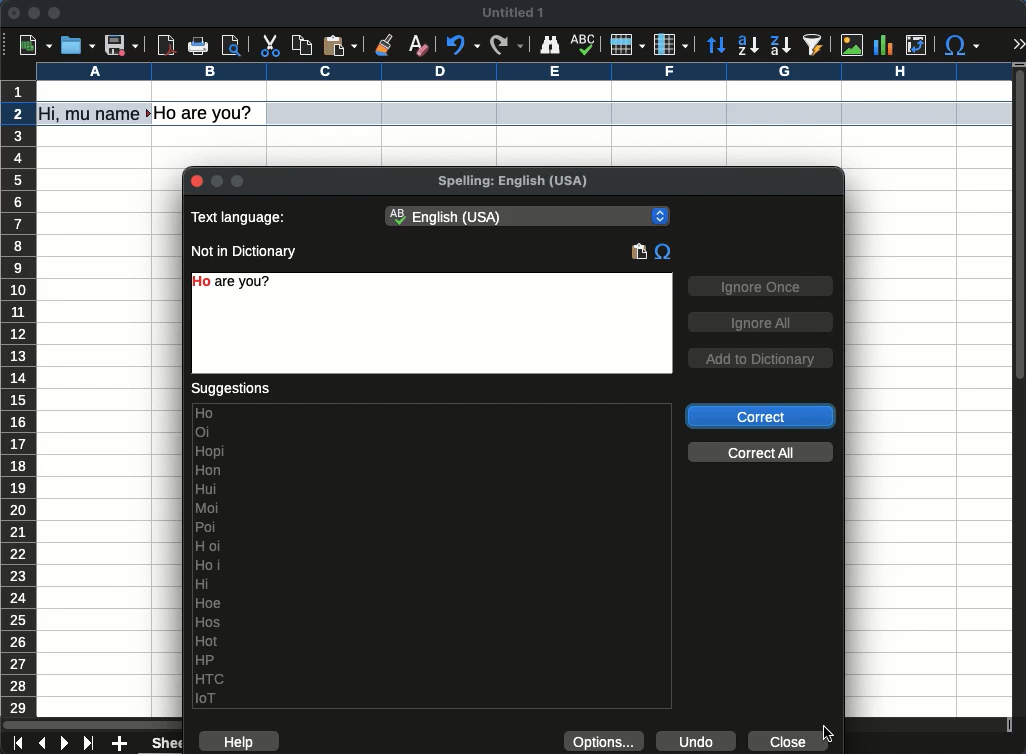  Describe the element at coordinates (231, 390) in the screenshot. I see `suggestions` at that location.